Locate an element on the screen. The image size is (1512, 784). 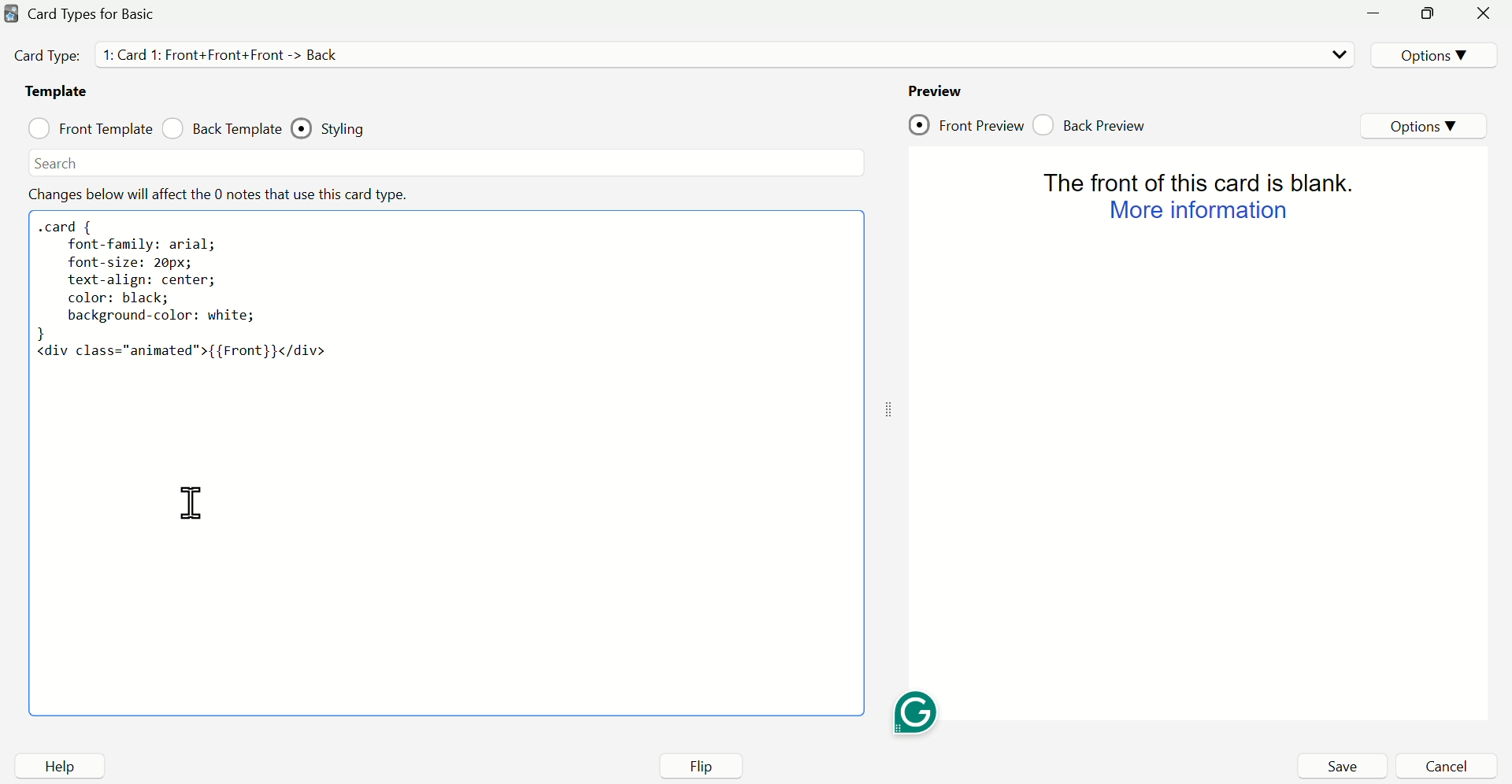
Options is located at coordinates (1426, 125).